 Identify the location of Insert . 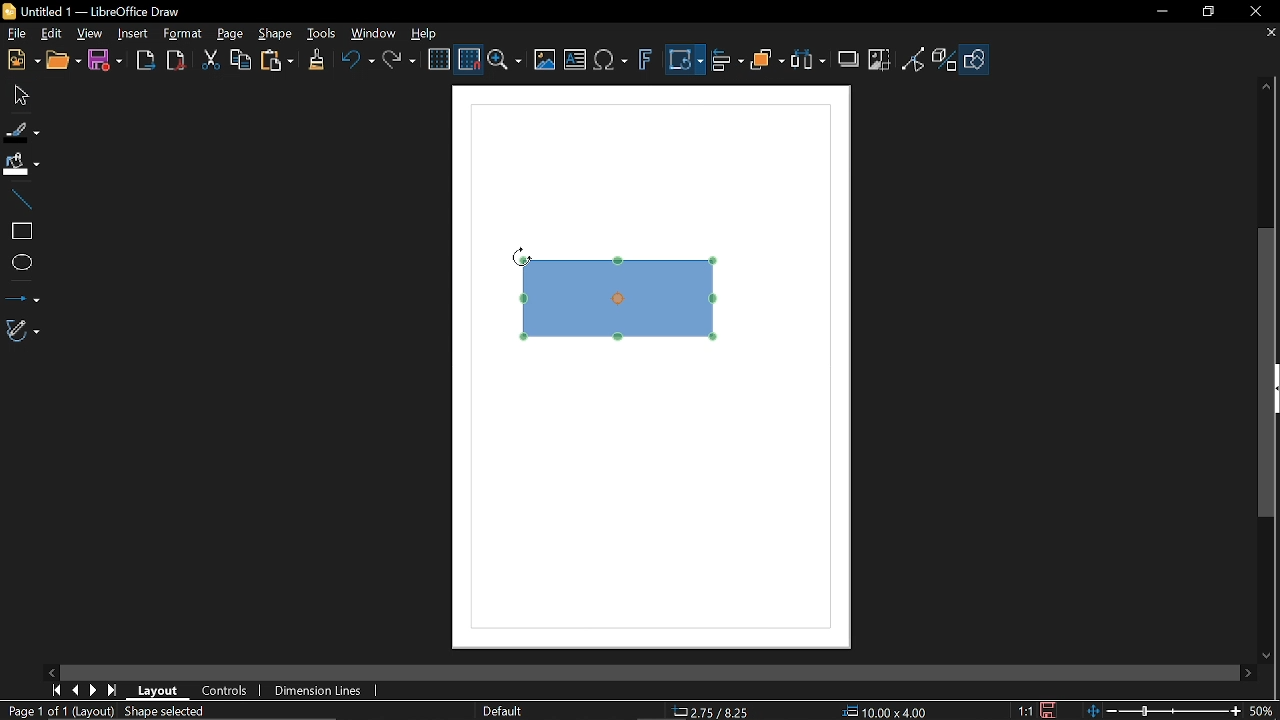
(132, 35).